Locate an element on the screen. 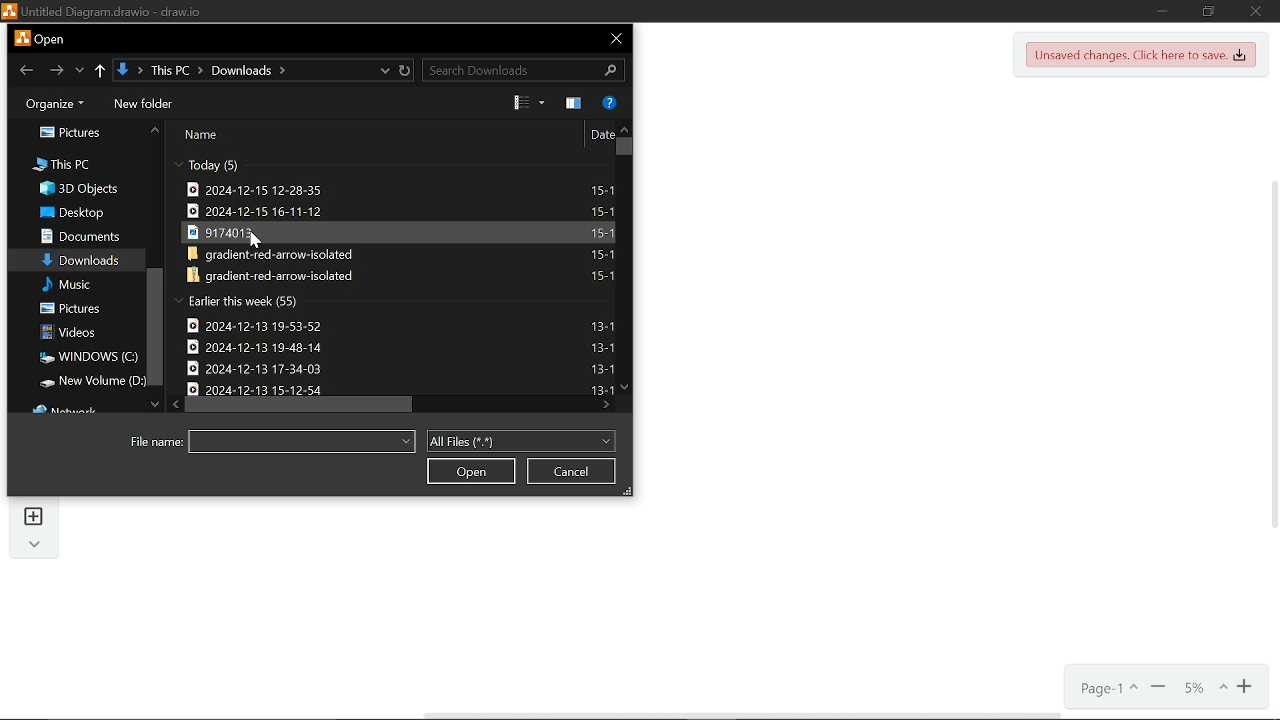 This screenshot has width=1280, height=720. Vertical scrollbar is located at coordinates (1272, 360).